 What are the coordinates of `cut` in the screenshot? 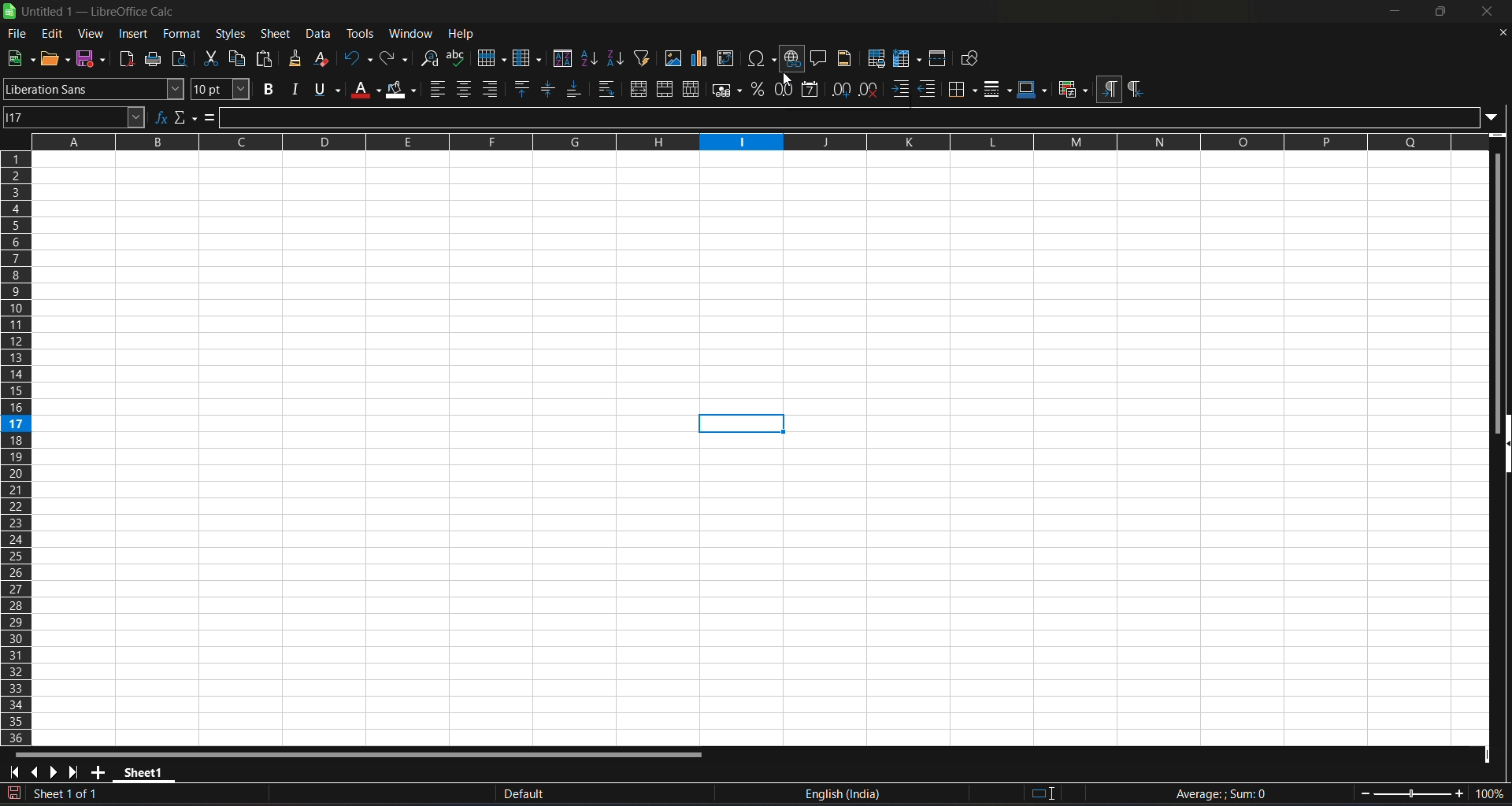 It's located at (210, 57).